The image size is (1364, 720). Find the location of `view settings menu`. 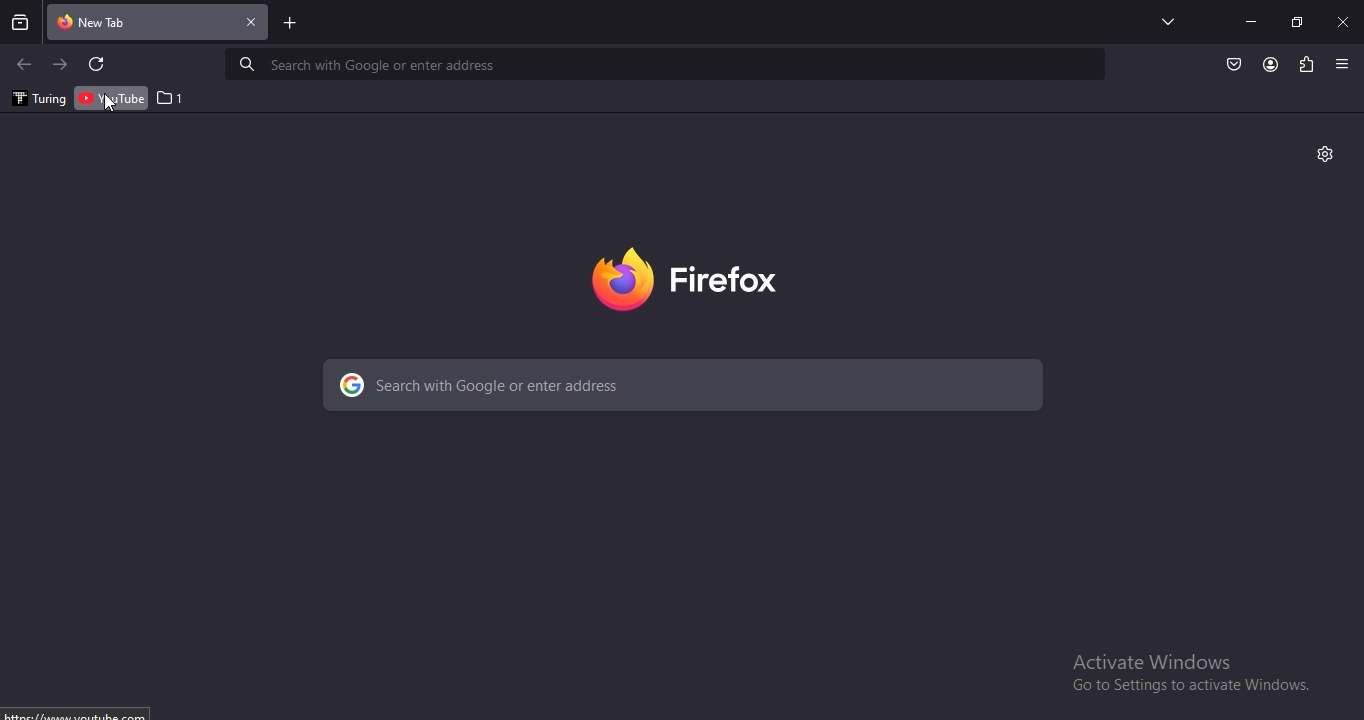

view settings menu is located at coordinates (1343, 63).